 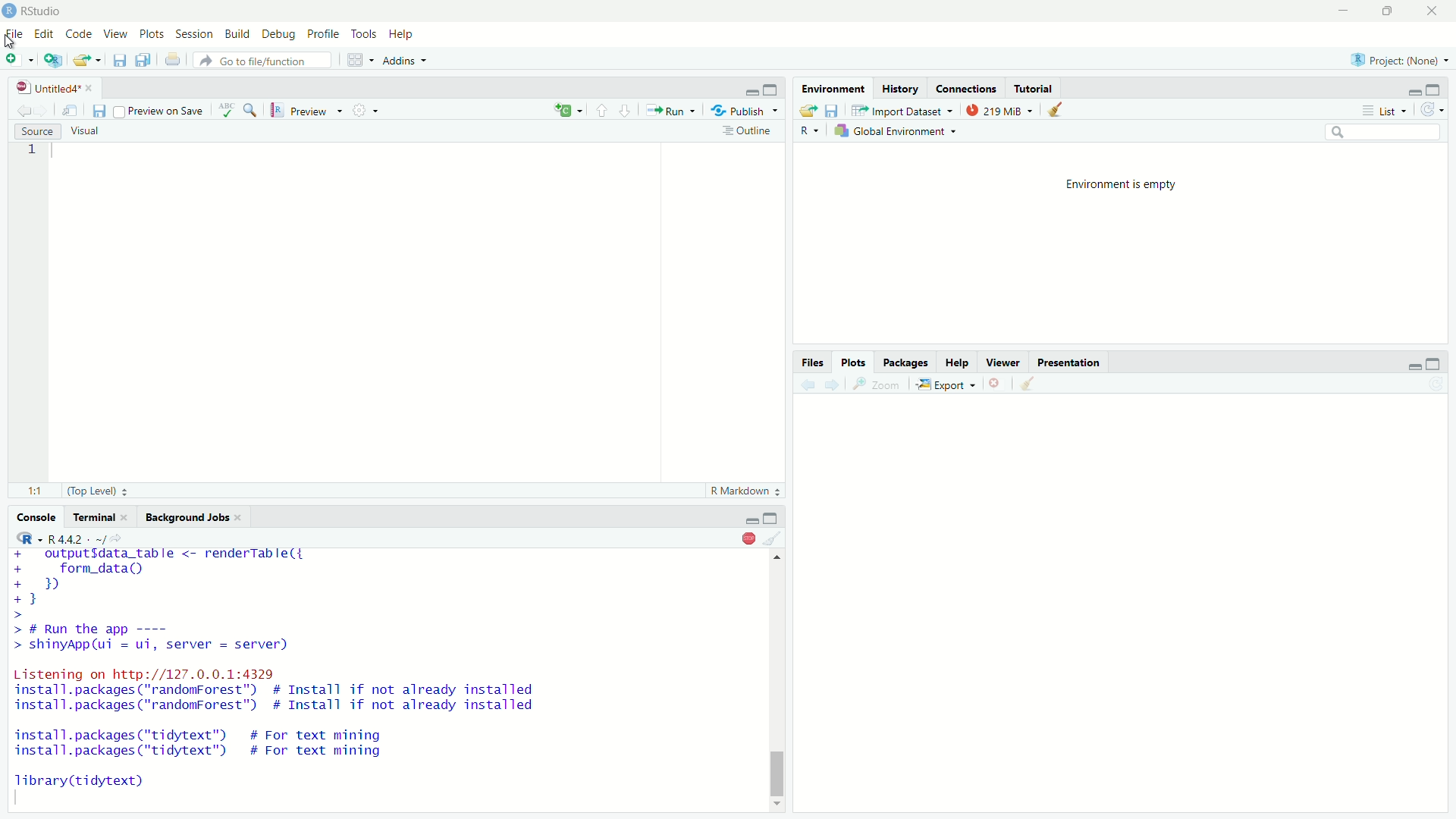 What do you see at coordinates (966, 87) in the screenshot?
I see `Connections` at bounding box center [966, 87].